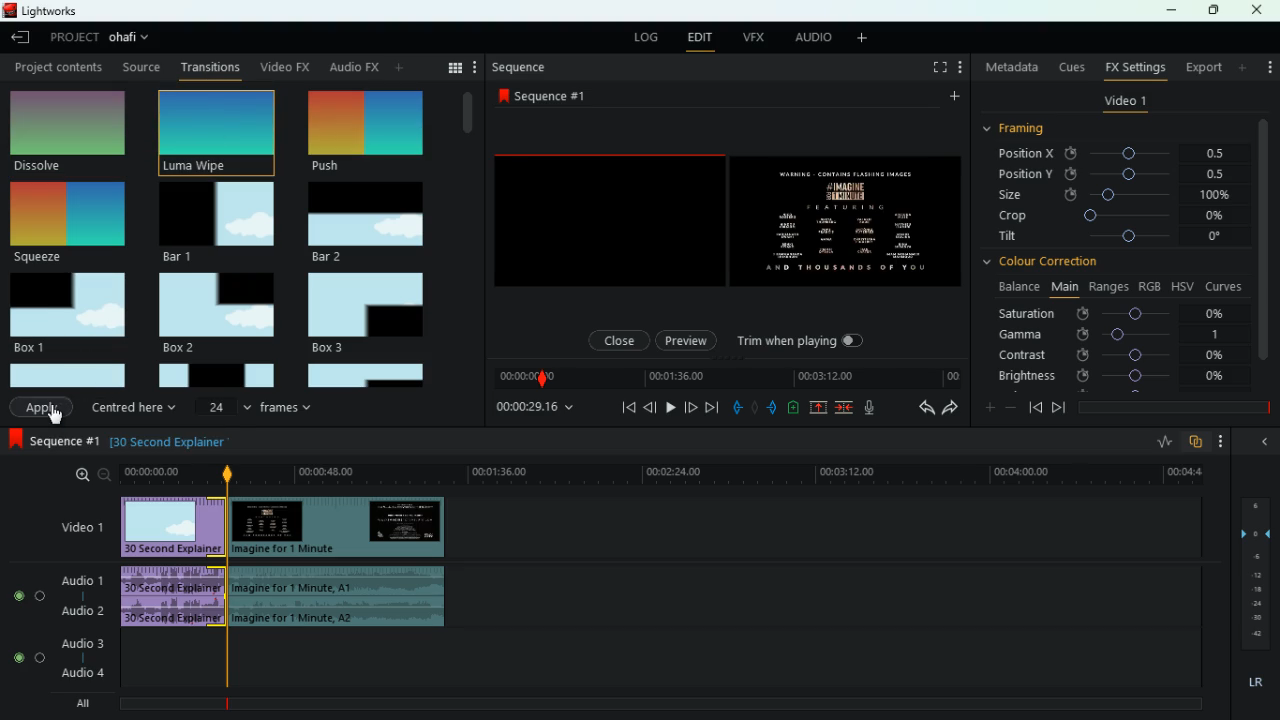  What do you see at coordinates (1150, 285) in the screenshot?
I see `rgb` at bounding box center [1150, 285].